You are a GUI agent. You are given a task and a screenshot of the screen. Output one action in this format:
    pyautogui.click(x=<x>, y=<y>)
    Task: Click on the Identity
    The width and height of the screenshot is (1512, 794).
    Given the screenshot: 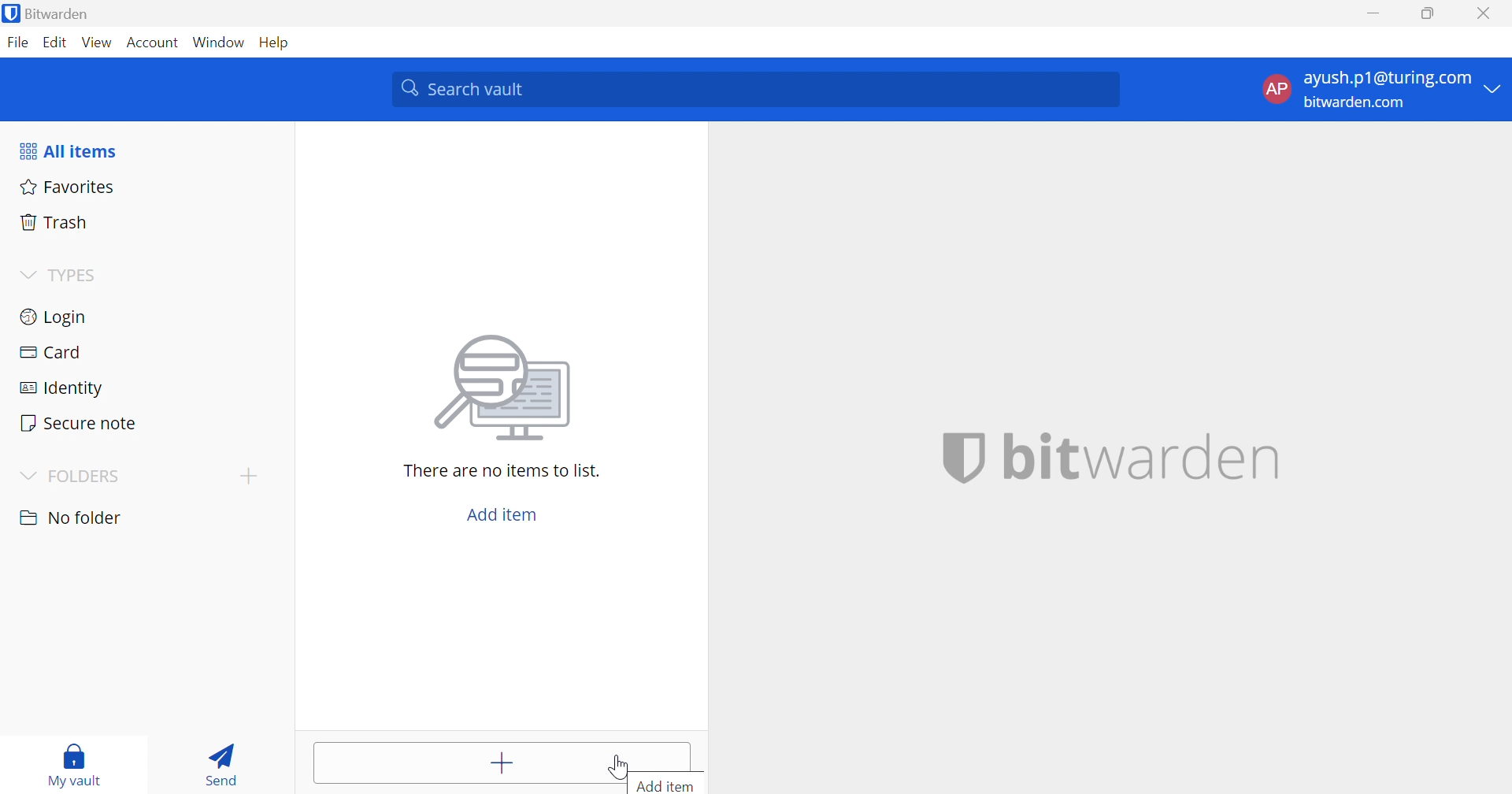 What is the action you would take?
    pyautogui.click(x=64, y=389)
    